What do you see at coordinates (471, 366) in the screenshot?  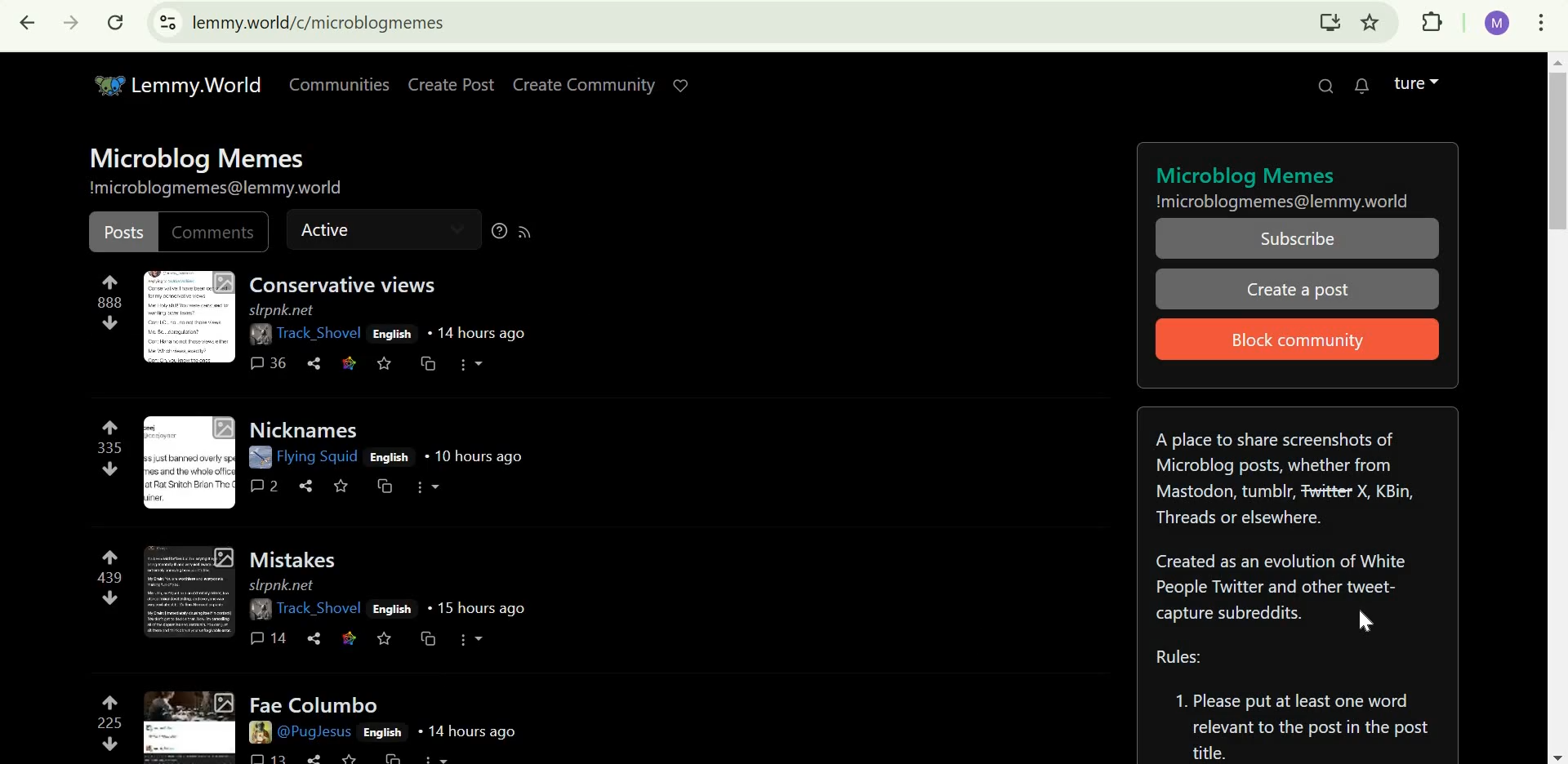 I see `more` at bounding box center [471, 366].